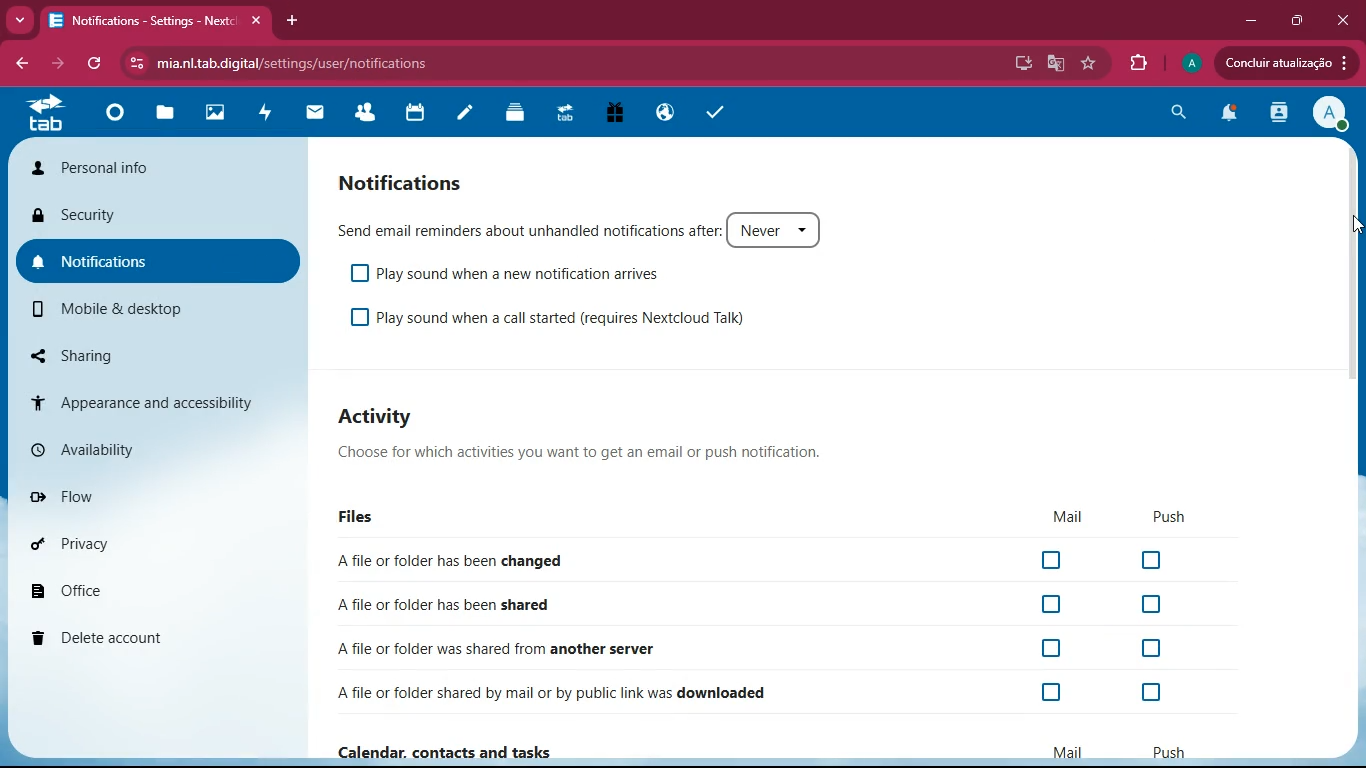 This screenshot has width=1366, height=768. Describe the element at coordinates (1330, 114) in the screenshot. I see `View Profile` at that location.